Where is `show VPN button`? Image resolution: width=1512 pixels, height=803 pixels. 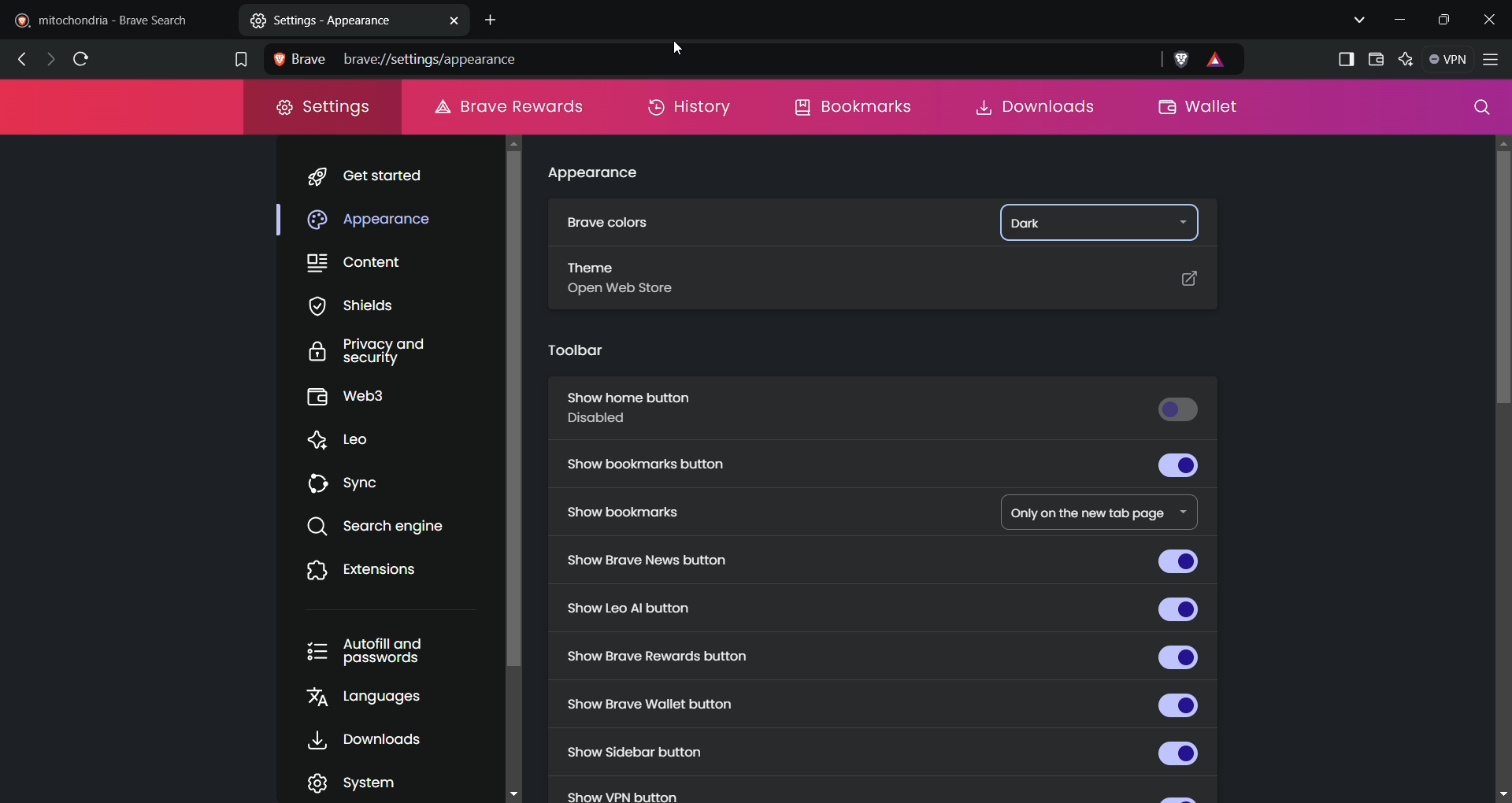
show VPN button is located at coordinates (621, 793).